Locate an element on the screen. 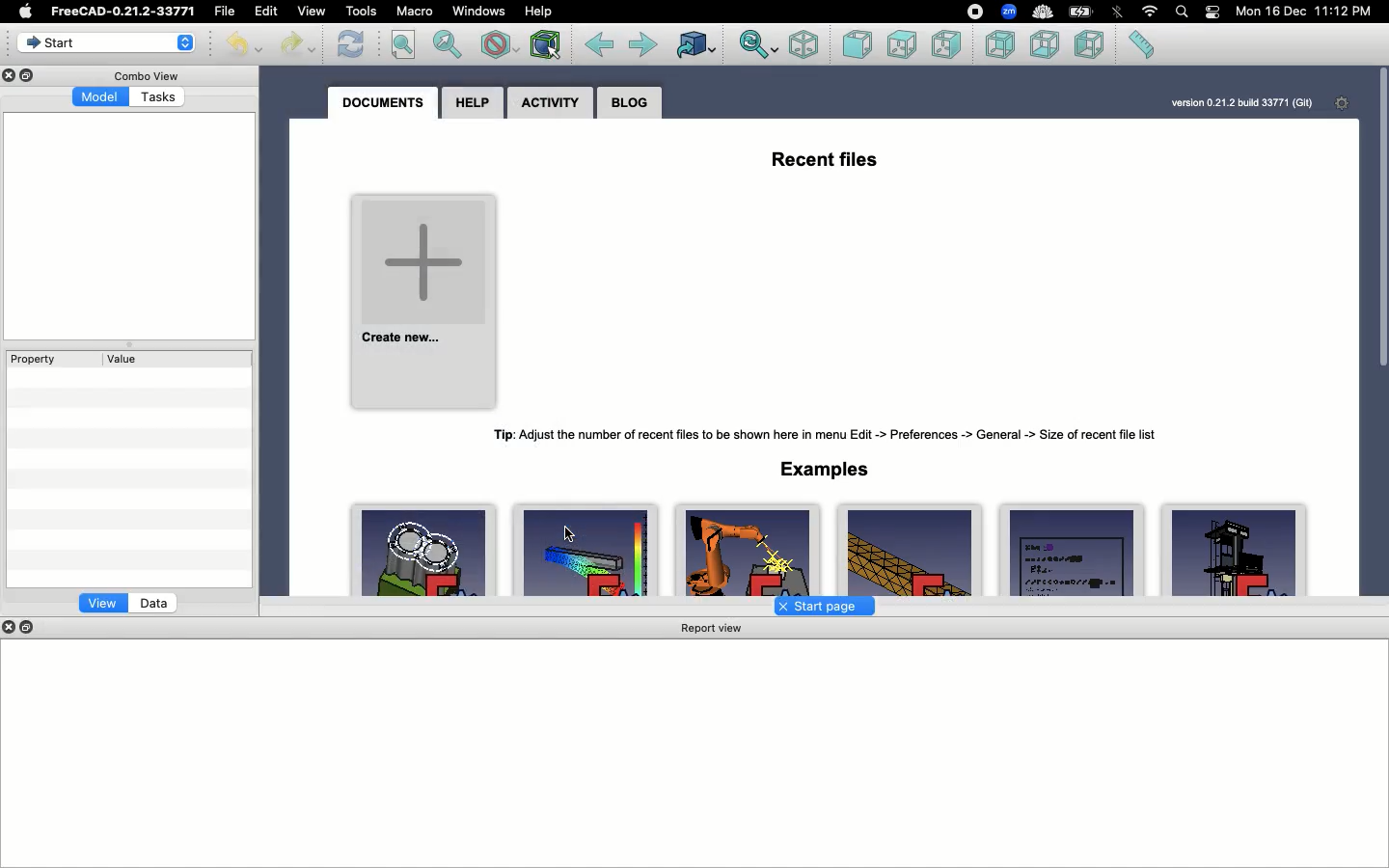 The image size is (1389, 868). cold turkey  is located at coordinates (1042, 12).